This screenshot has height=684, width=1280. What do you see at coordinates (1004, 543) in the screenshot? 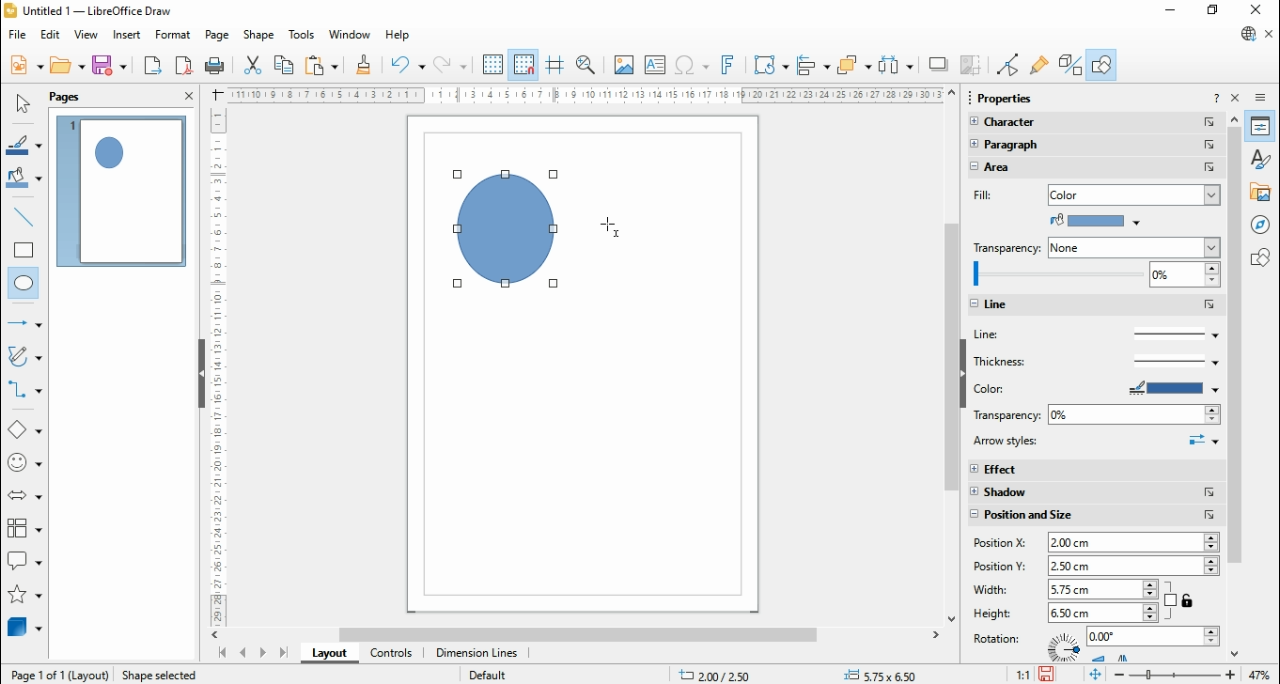
I see `position X` at bounding box center [1004, 543].